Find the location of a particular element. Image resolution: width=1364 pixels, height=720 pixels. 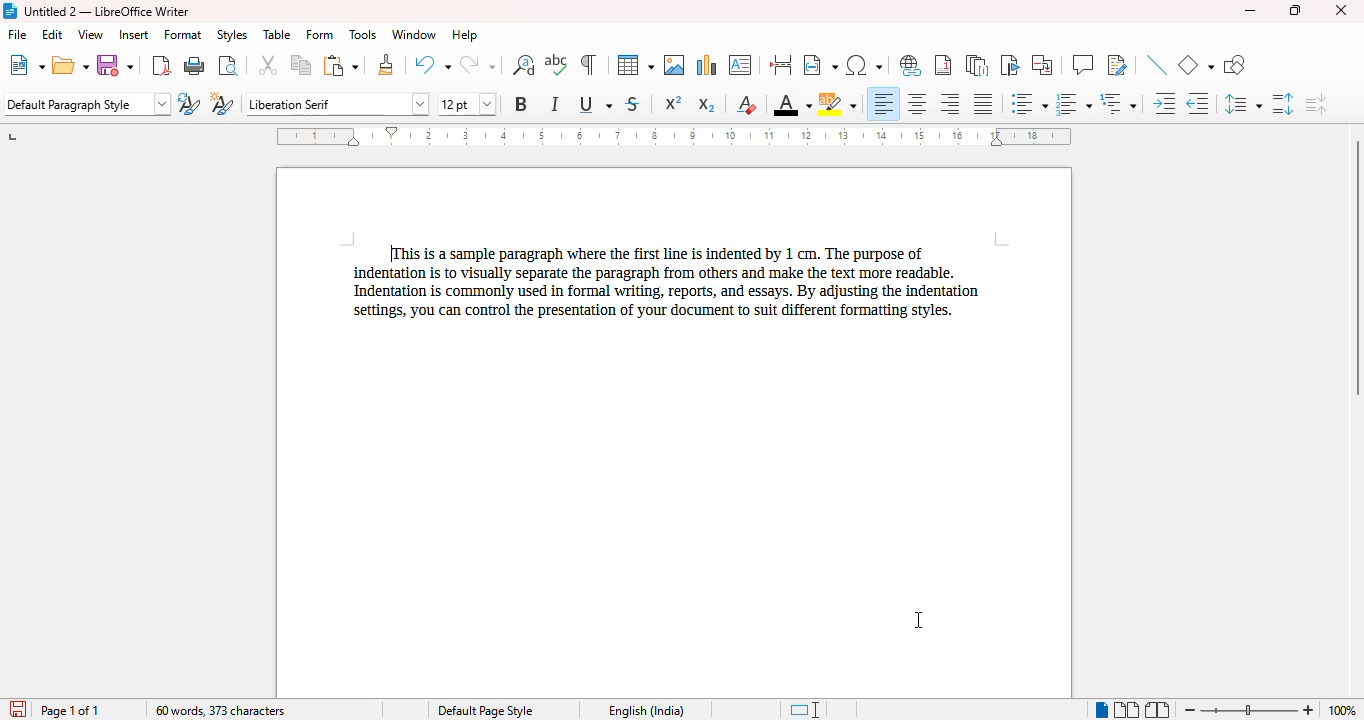

align center is located at coordinates (917, 103).